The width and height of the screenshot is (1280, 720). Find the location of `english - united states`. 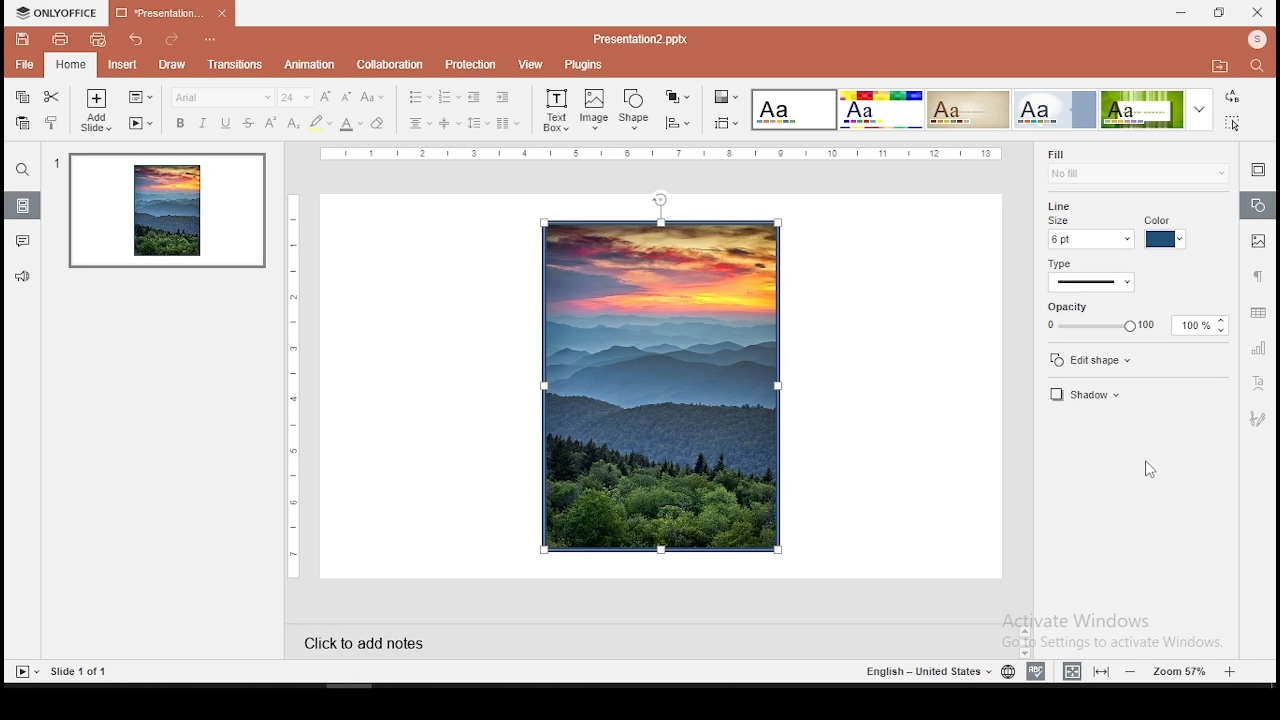

english - united states is located at coordinates (923, 671).